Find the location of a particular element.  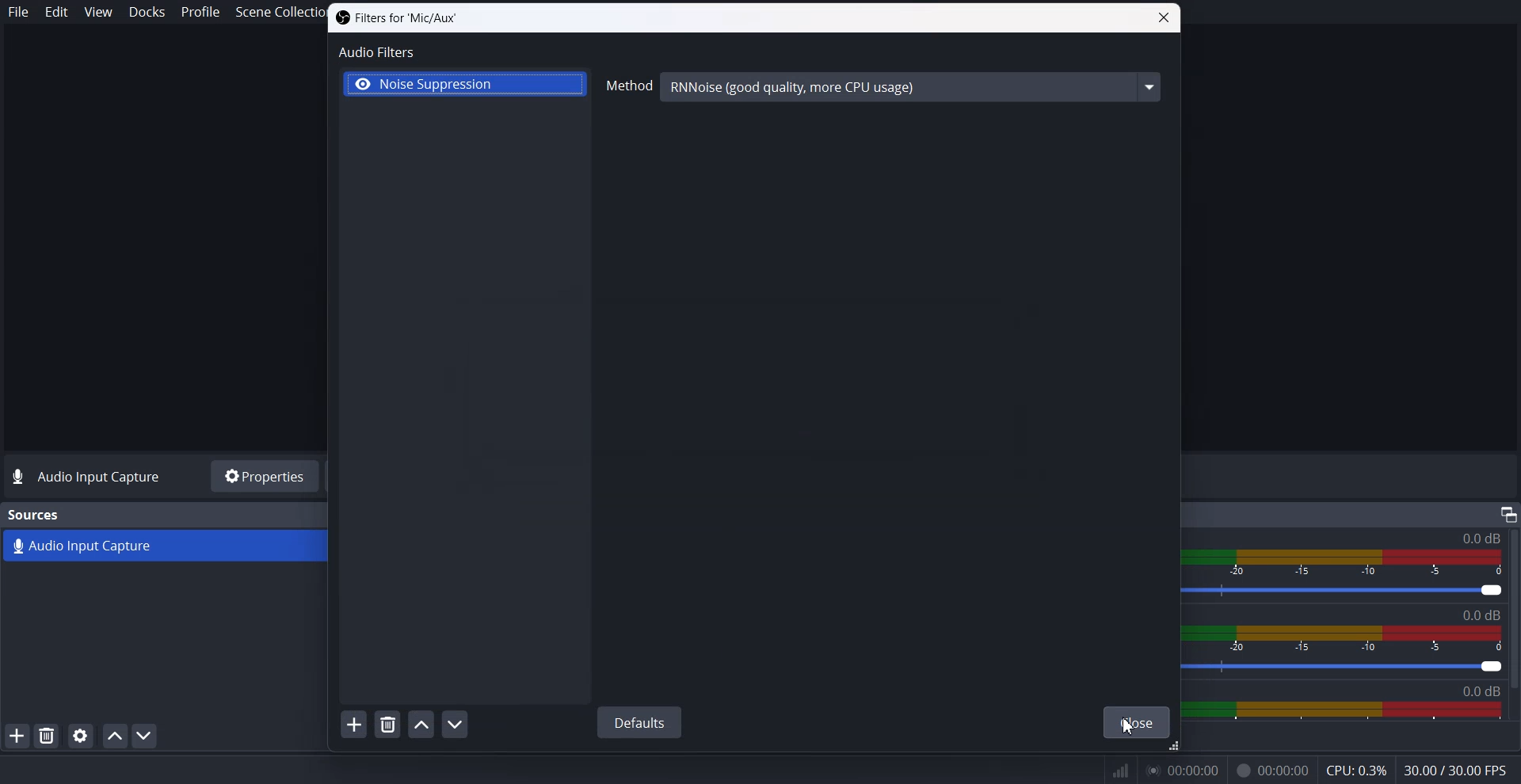

CPU: 0.3% is located at coordinates (1355, 772).